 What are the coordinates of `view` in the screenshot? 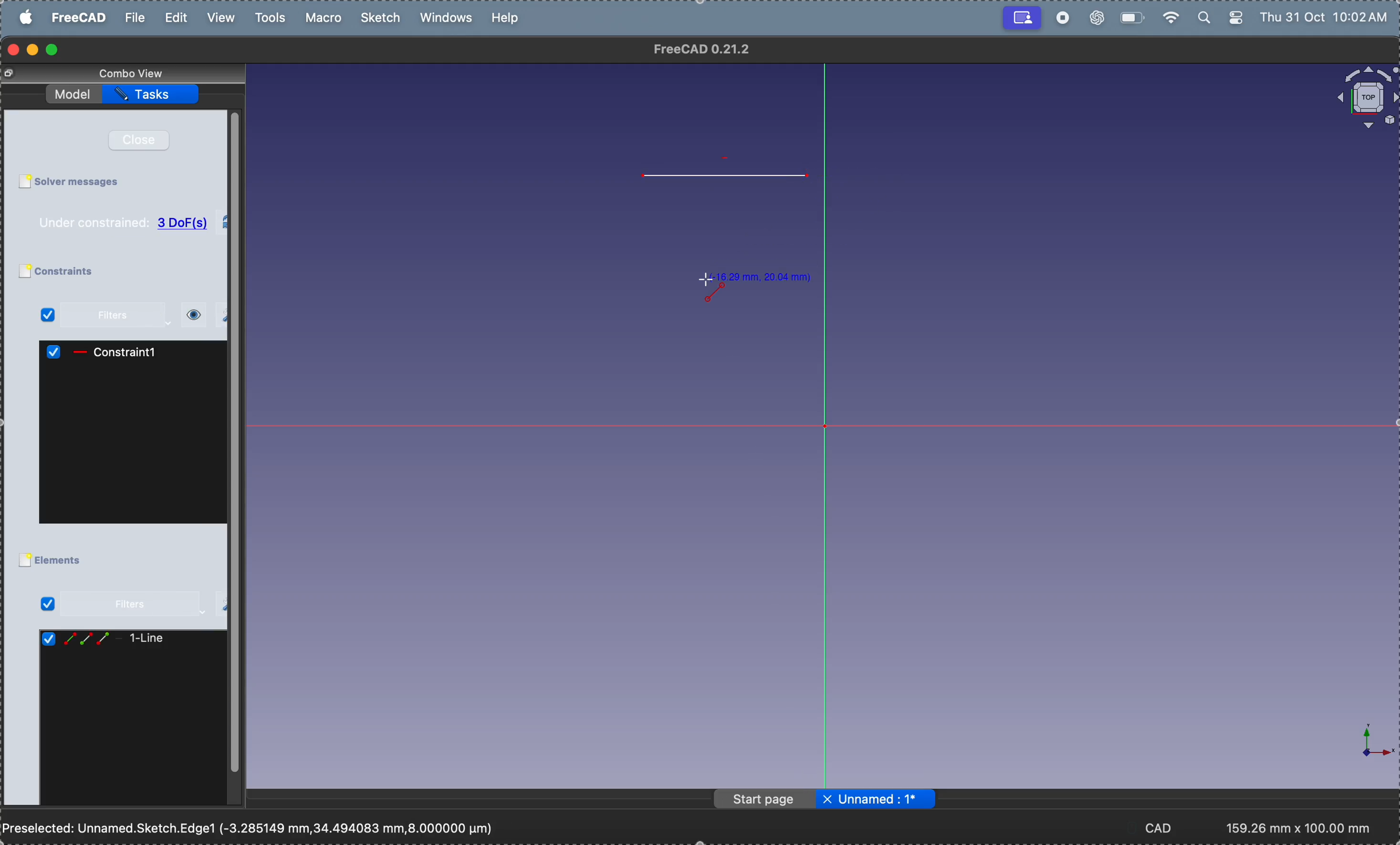 It's located at (219, 18).